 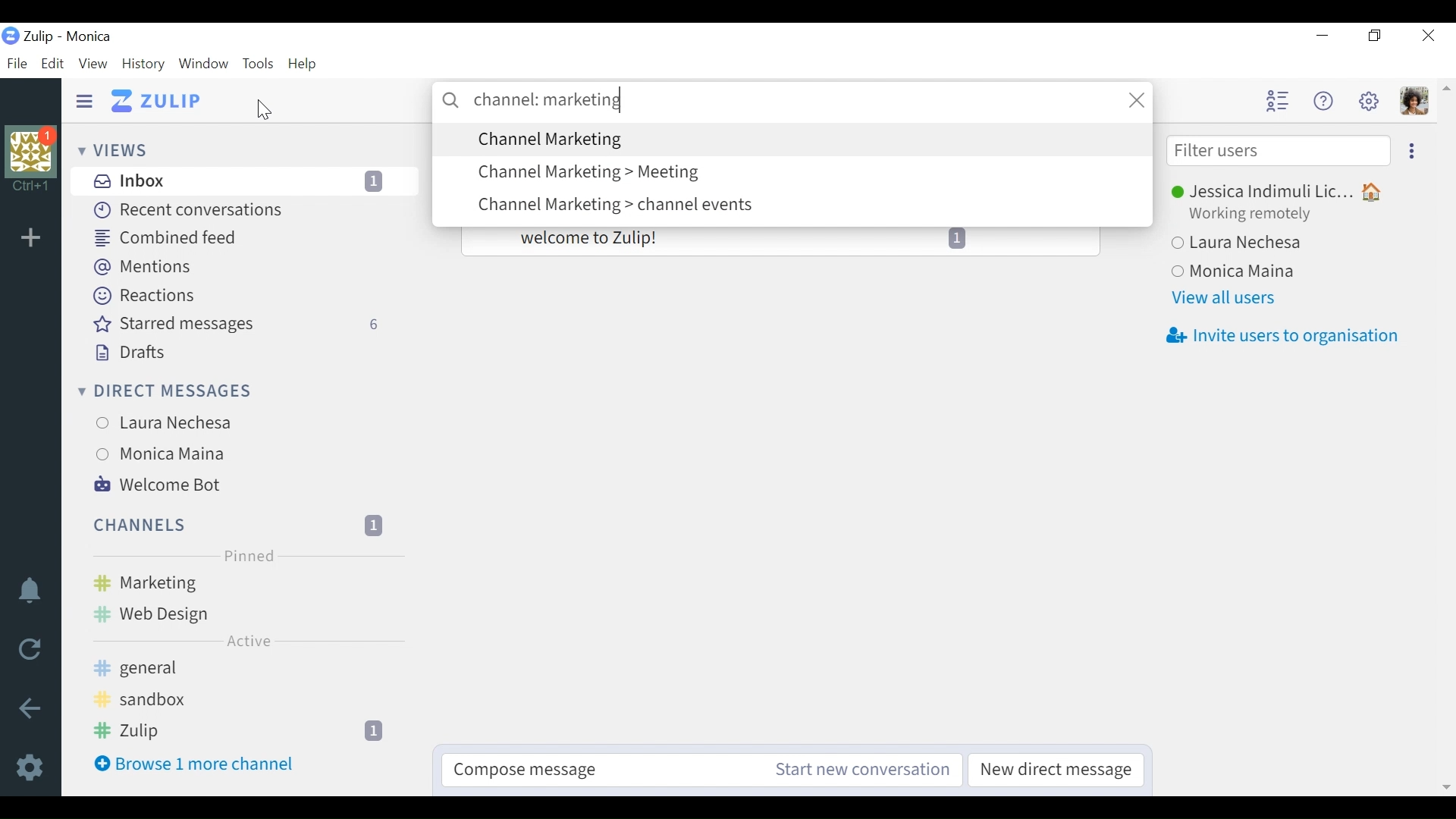 I want to click on Browse more channel, so click(x=193, y=764).